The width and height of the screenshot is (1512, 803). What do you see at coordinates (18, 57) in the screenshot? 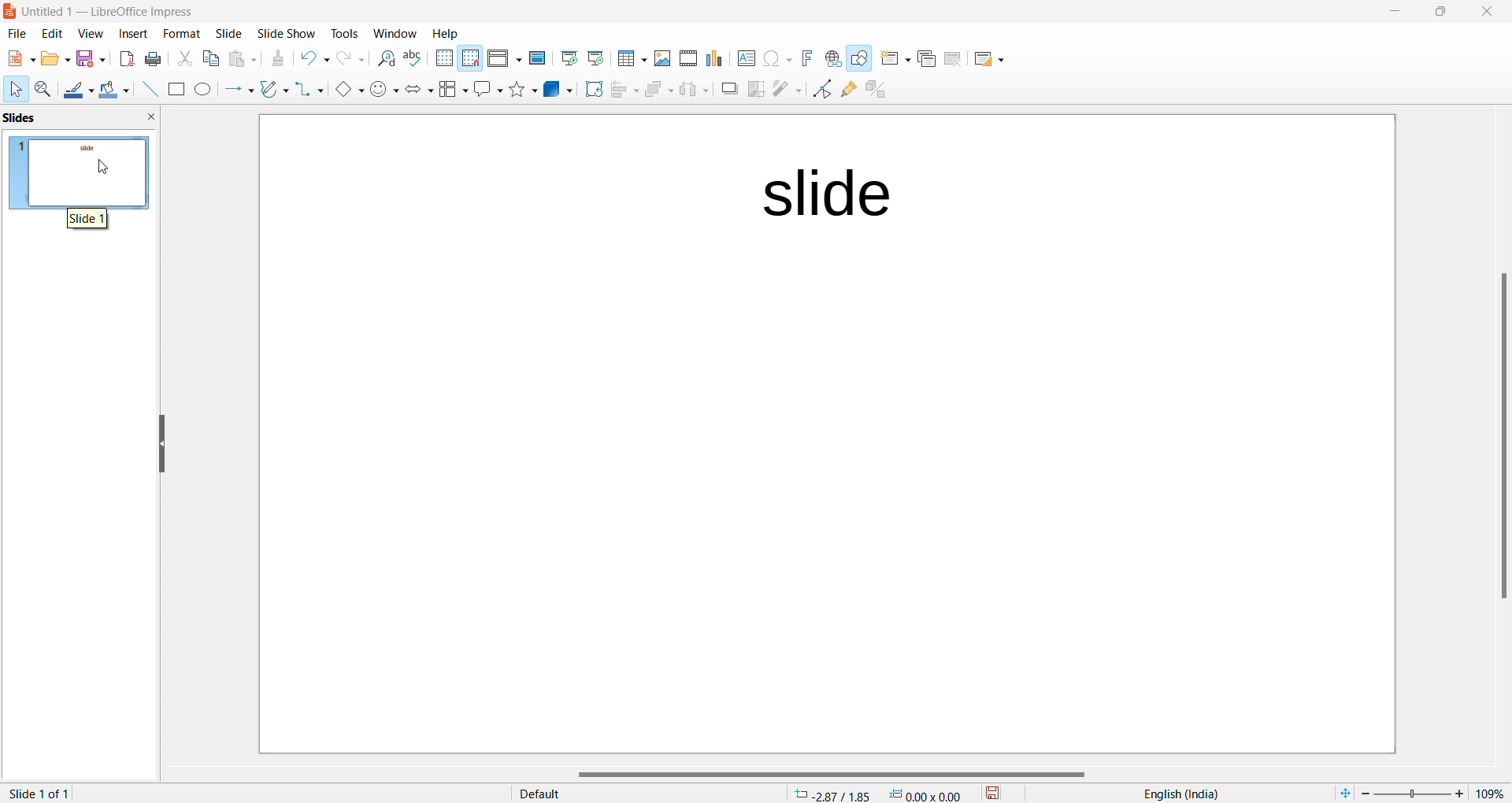
I see `New file` at bounding box center [18, 57].